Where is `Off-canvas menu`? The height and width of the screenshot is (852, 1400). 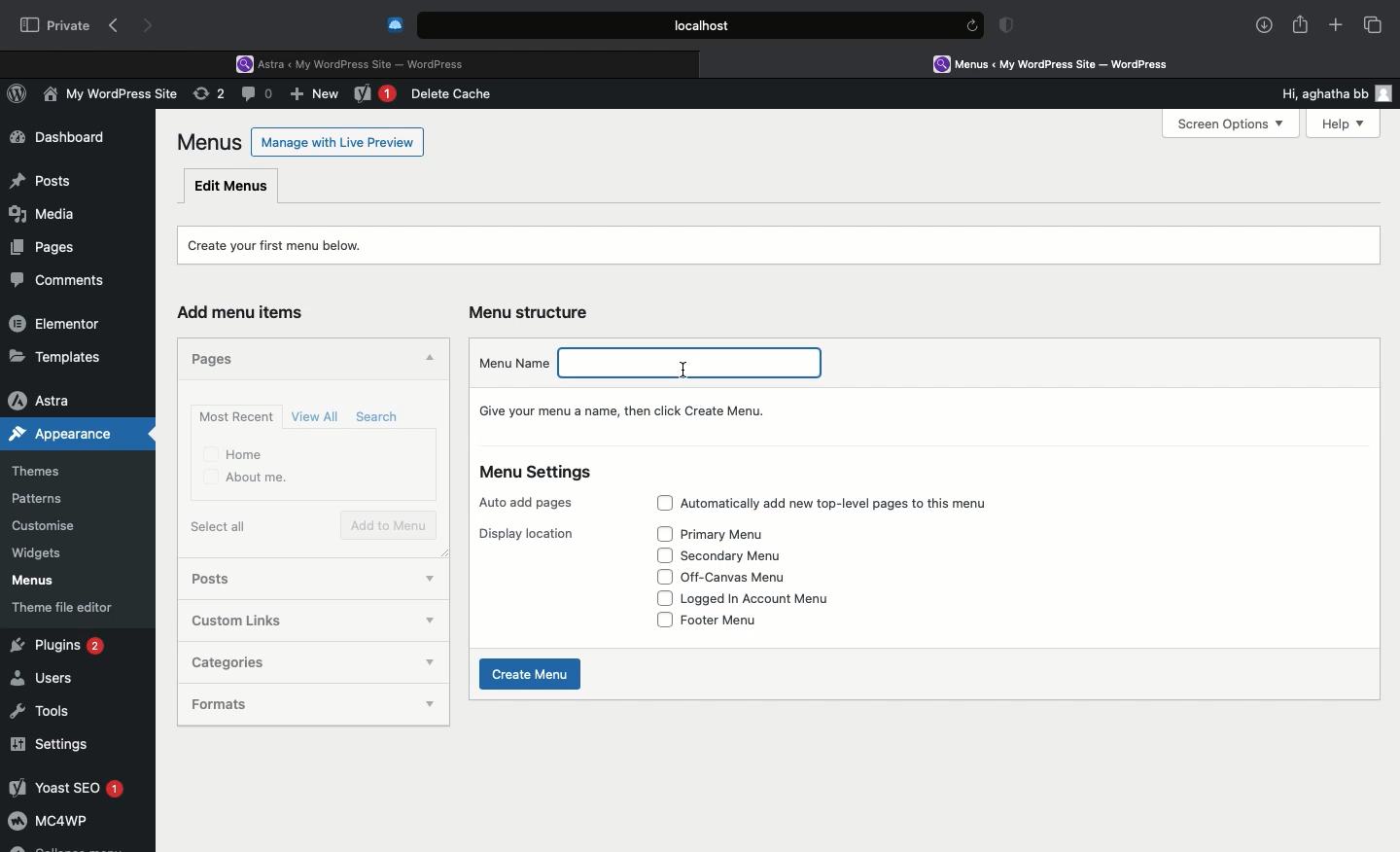
Off-canvas menu is located at coordinates (752, 578).